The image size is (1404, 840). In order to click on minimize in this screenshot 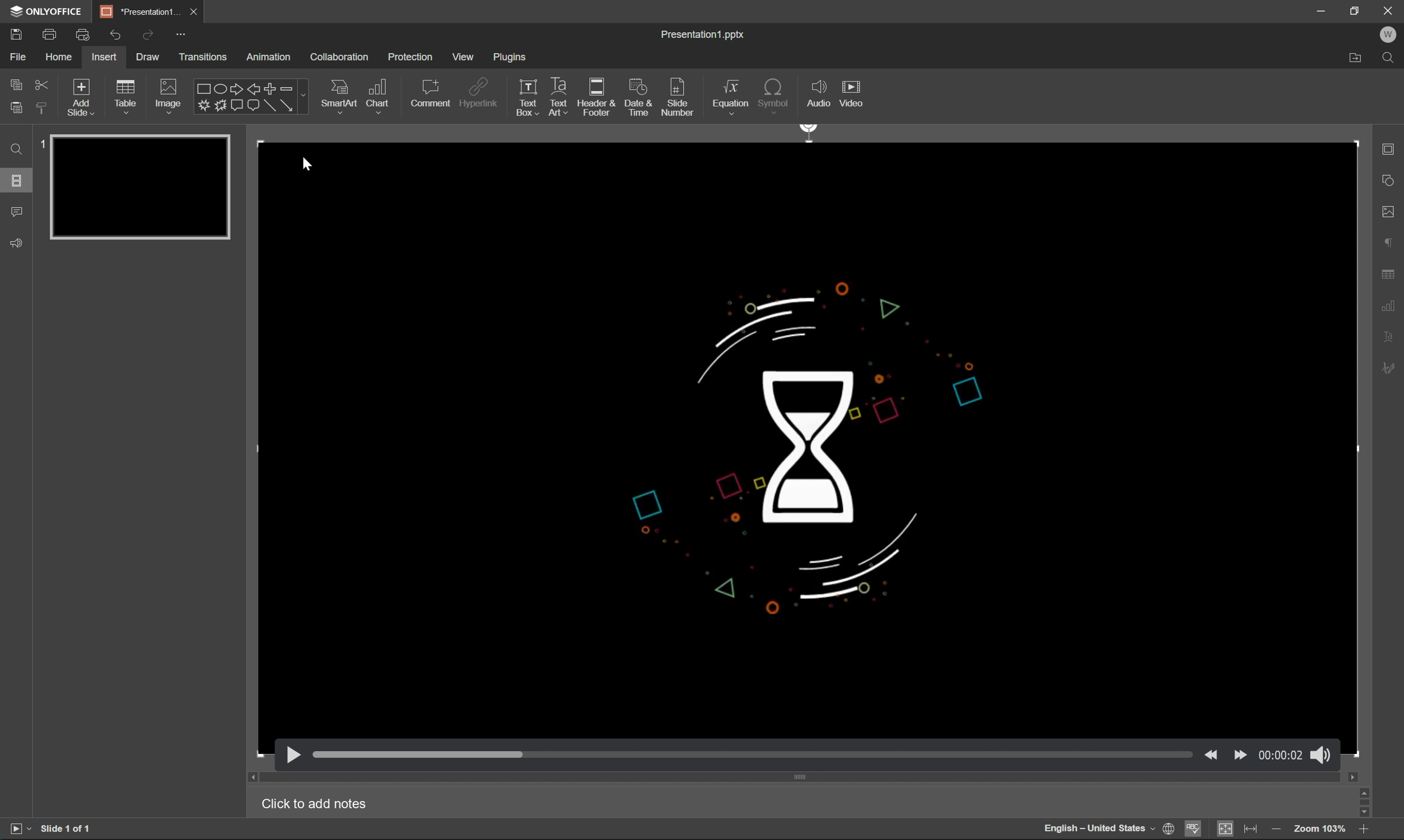, I will do `click(1319, 9)`.